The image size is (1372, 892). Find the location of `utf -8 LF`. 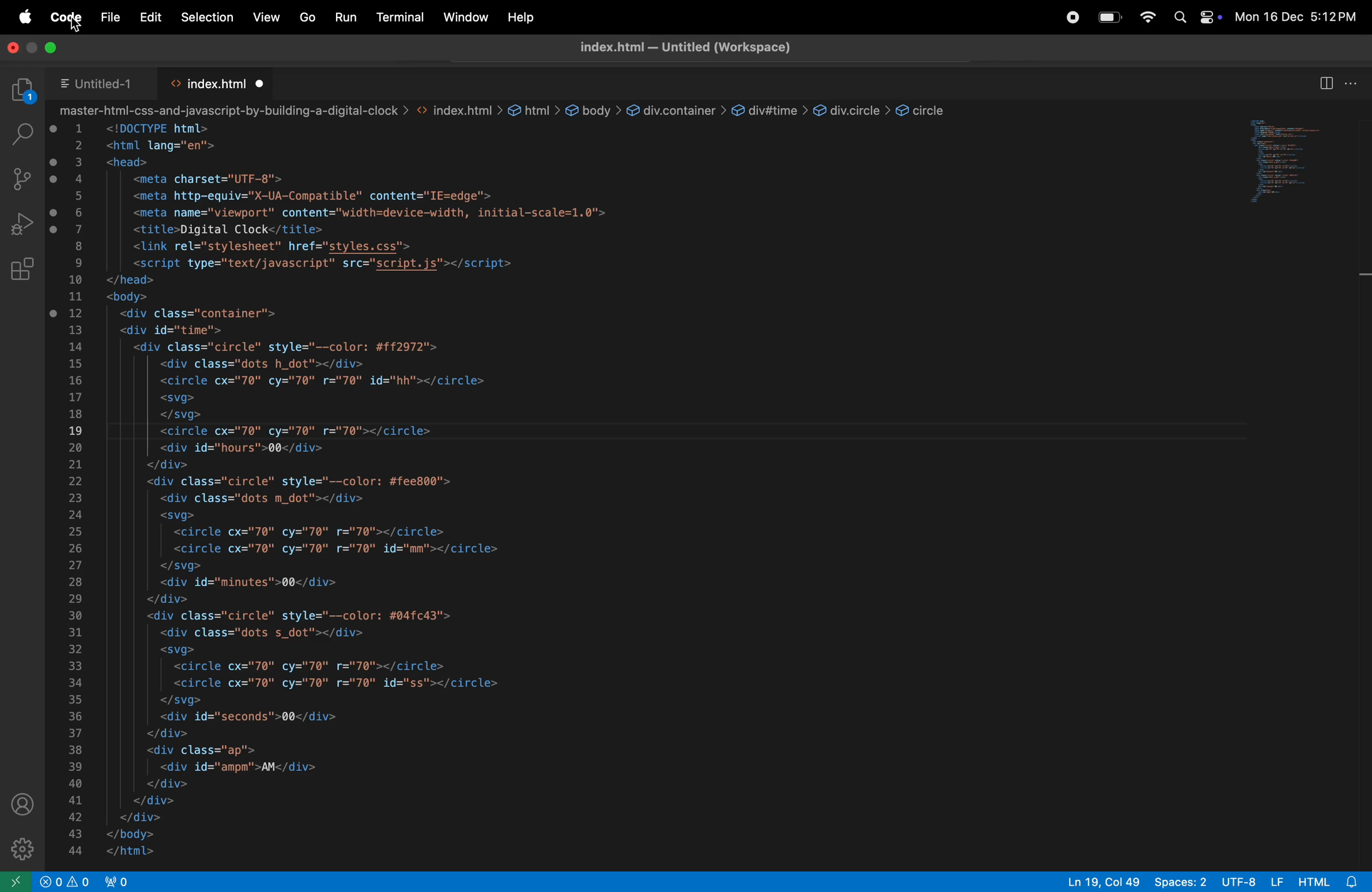

utf -8 LF is located at coordinates (1250, 882).